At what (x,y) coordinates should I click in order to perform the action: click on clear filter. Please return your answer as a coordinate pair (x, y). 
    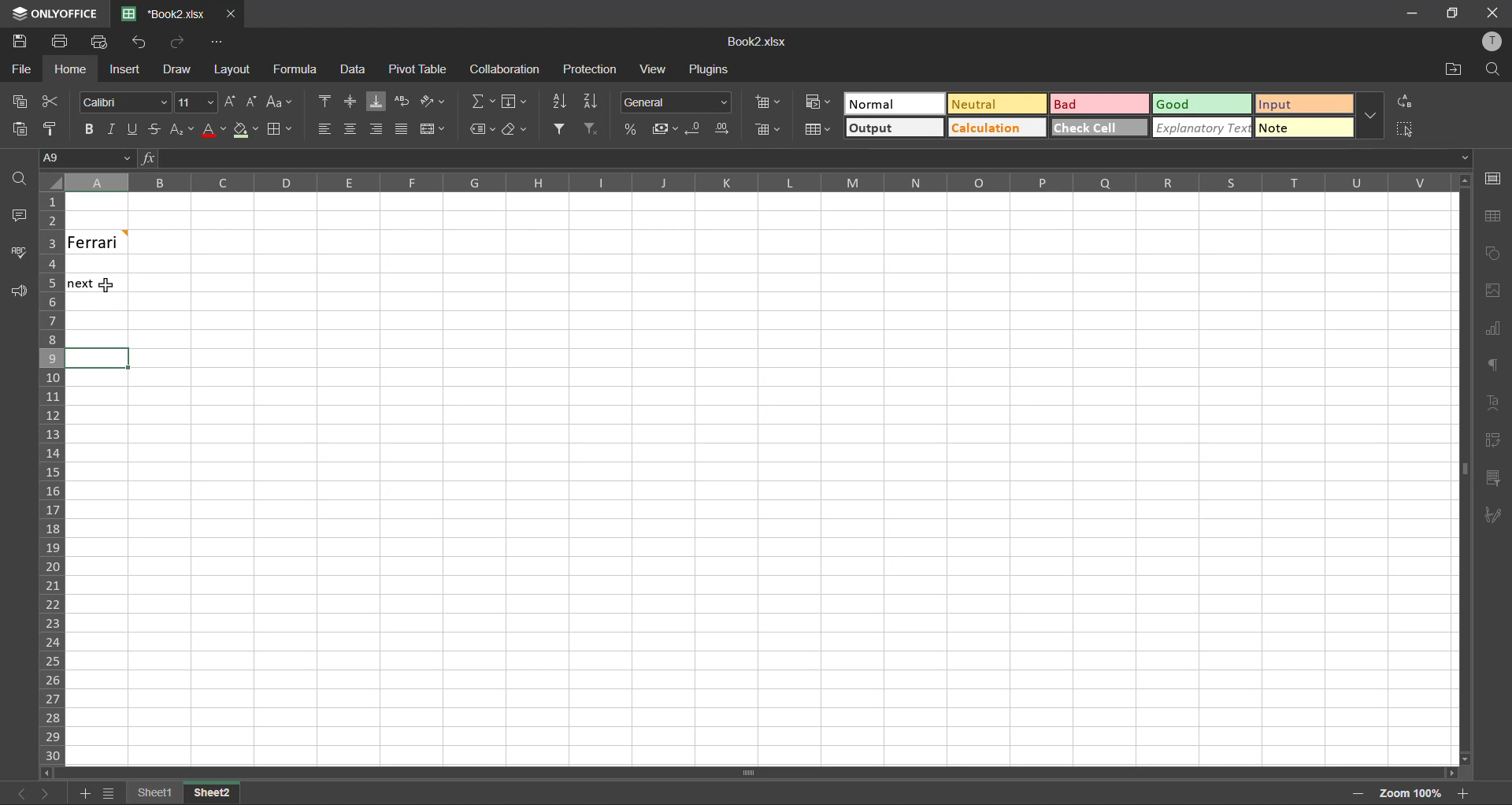
    Looking at the image, I should click on (591, 127).